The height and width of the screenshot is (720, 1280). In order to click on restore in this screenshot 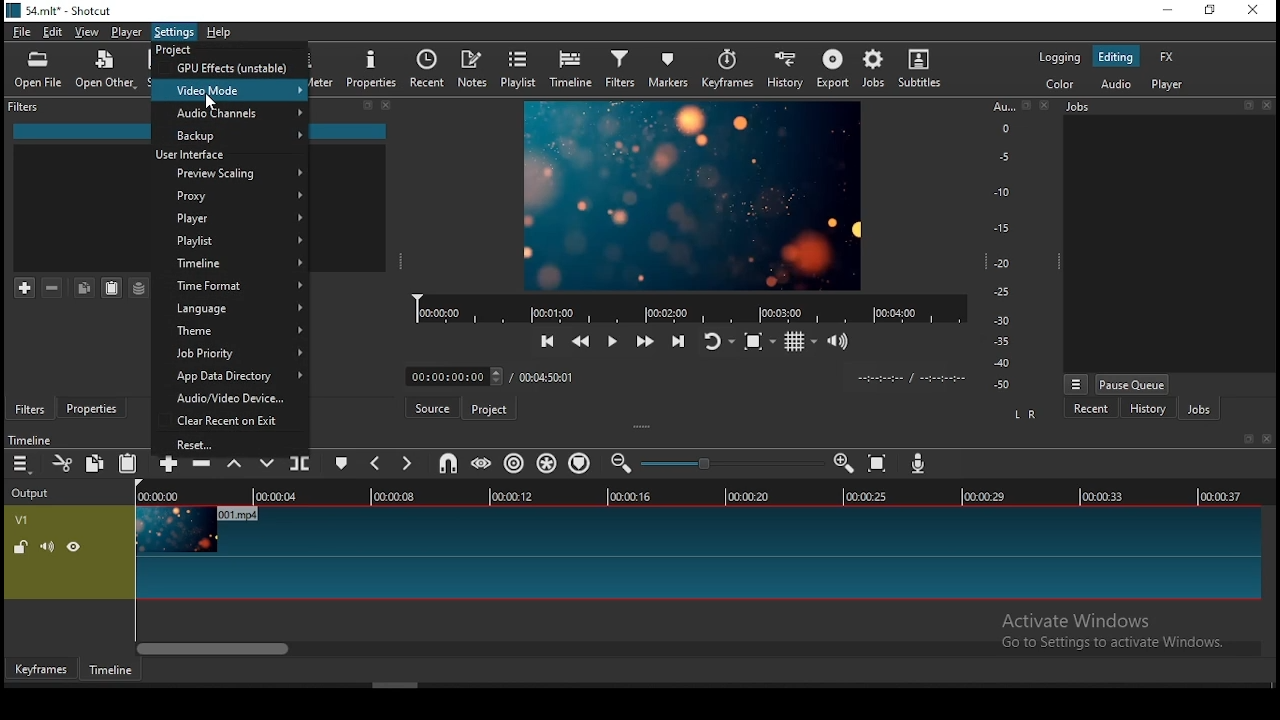, I will do `click(1026, 106)`.